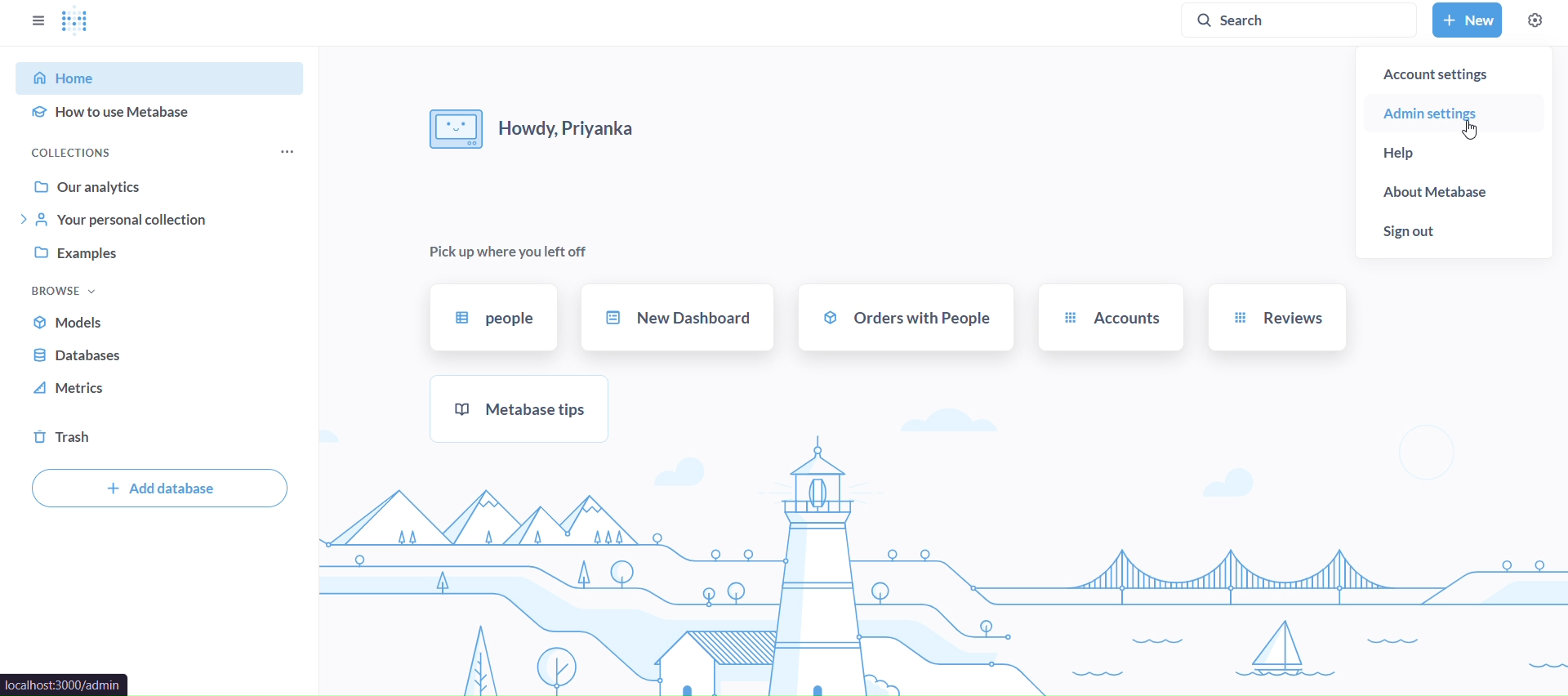  Describe the element at coordinates (1457, 72) in the screenshot. I see `account settings` at that location.